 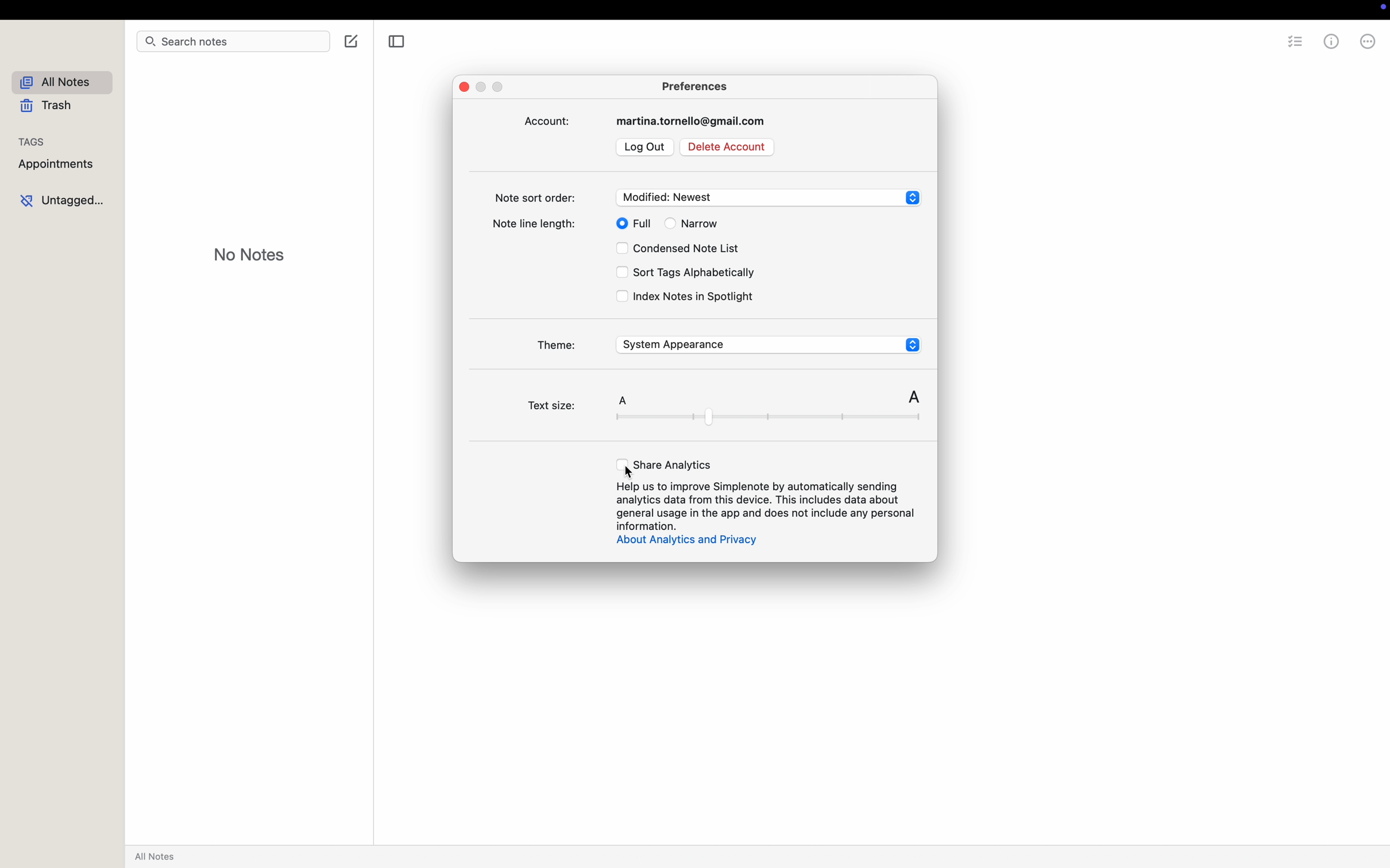 What do you see at coordinates (31, 142) in the screenshot?
I see `tags` at bounding box center [31, 142].